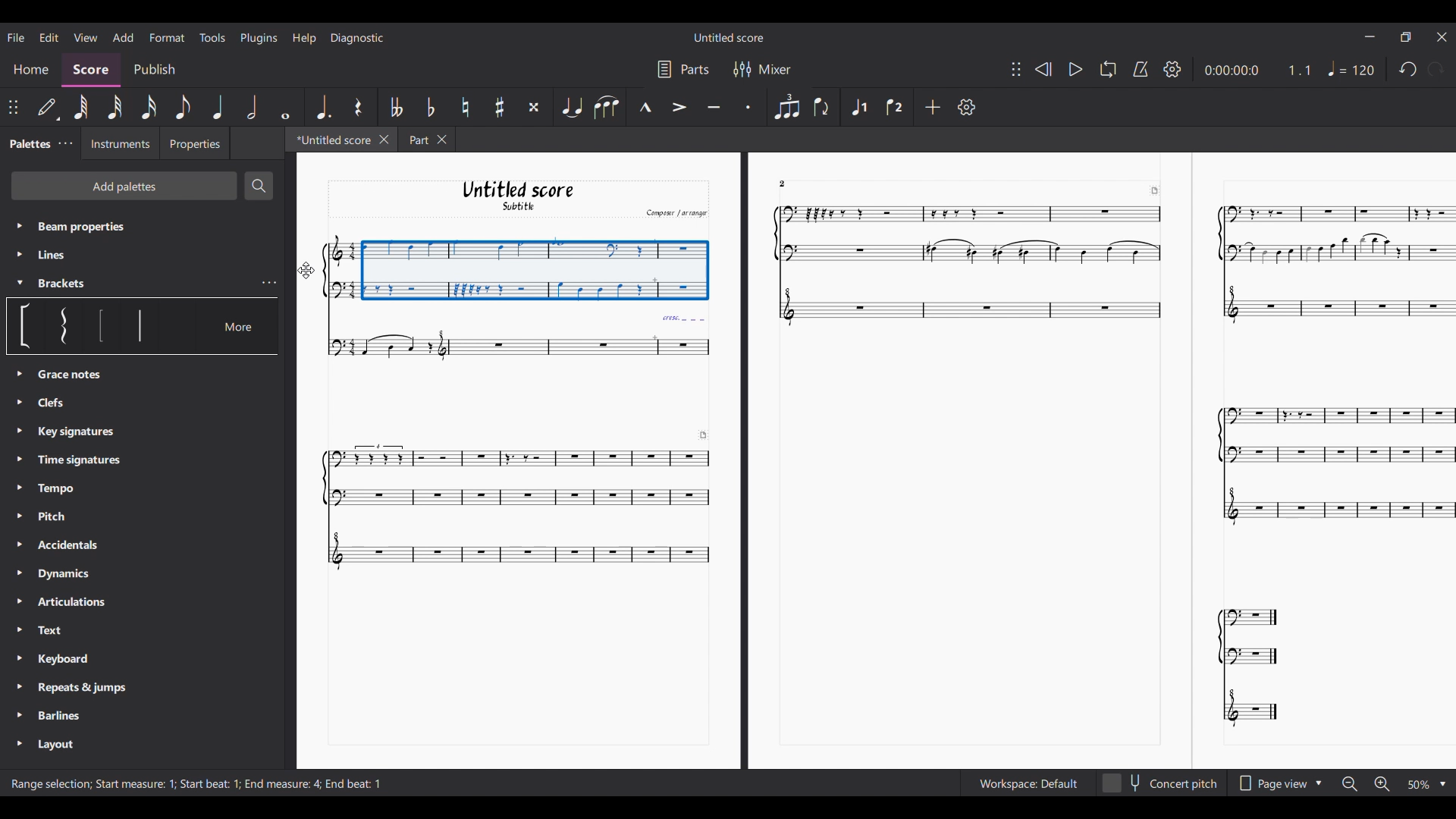 Image resolution: width=1456 pixels, height=819 pixels. I want to click on Toggle flat, so click(430, 107).